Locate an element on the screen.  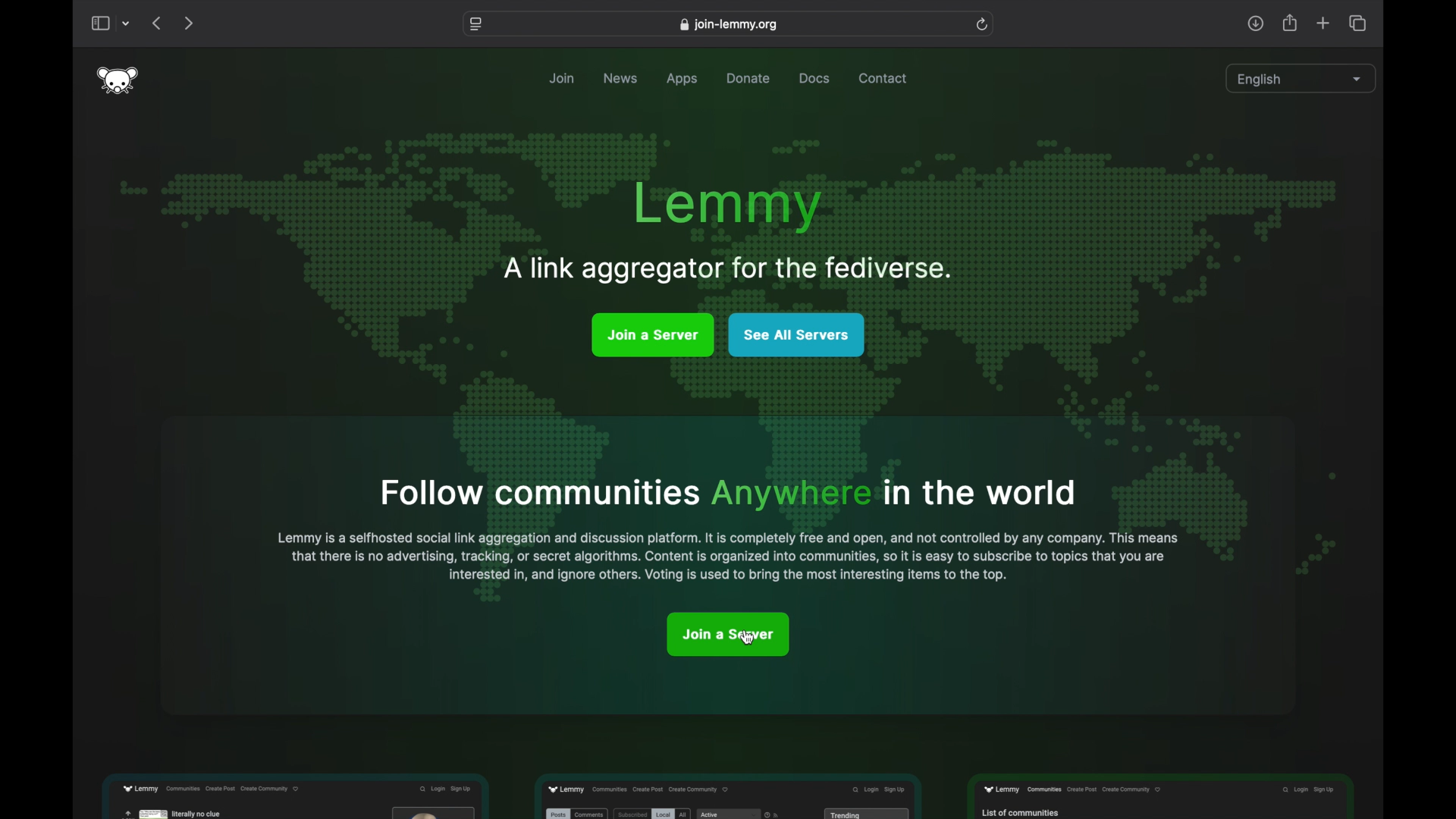
docs is located at coordinates (814, 78).